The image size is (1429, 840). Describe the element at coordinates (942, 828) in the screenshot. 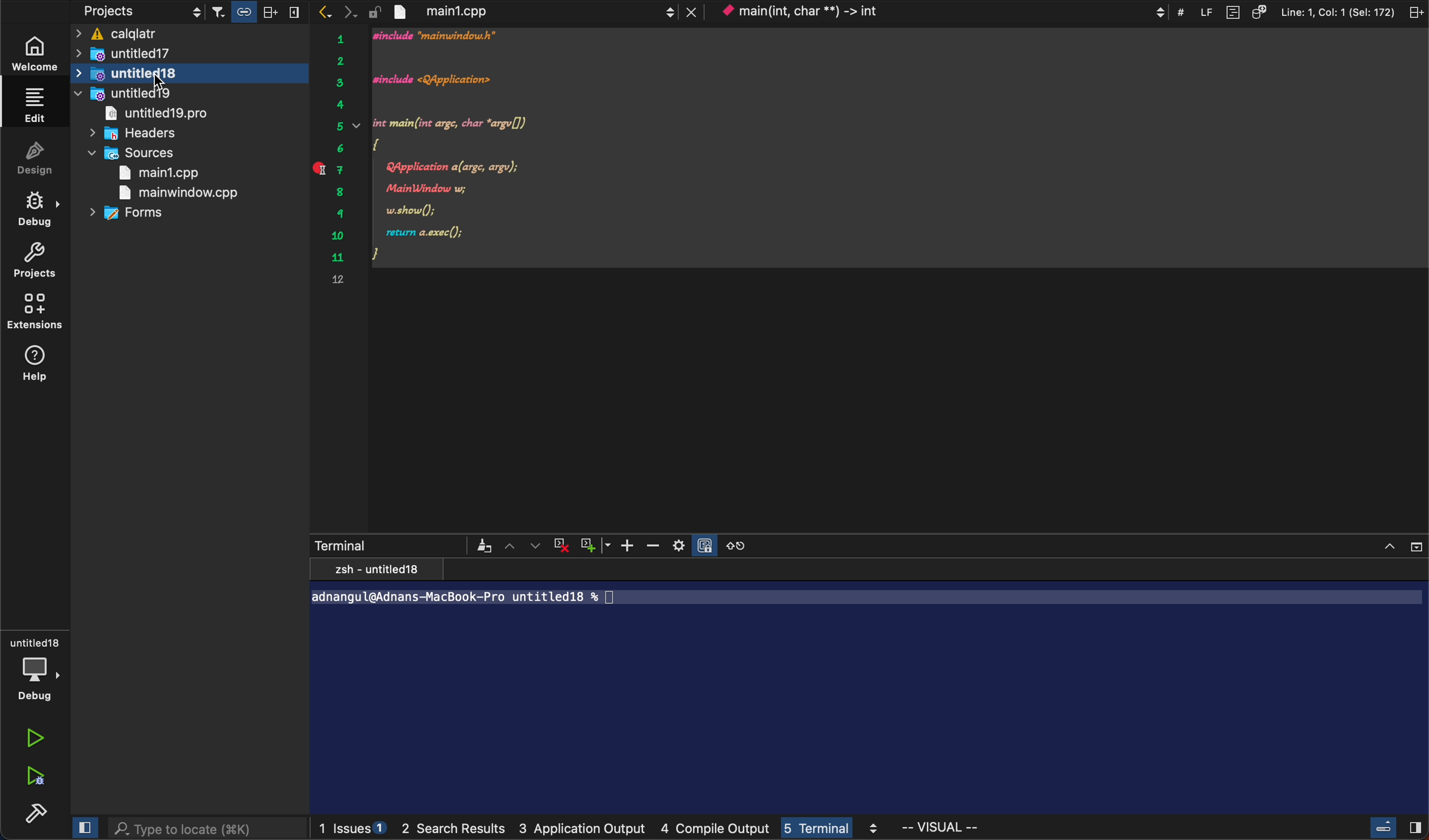

I see `visual` at that location.